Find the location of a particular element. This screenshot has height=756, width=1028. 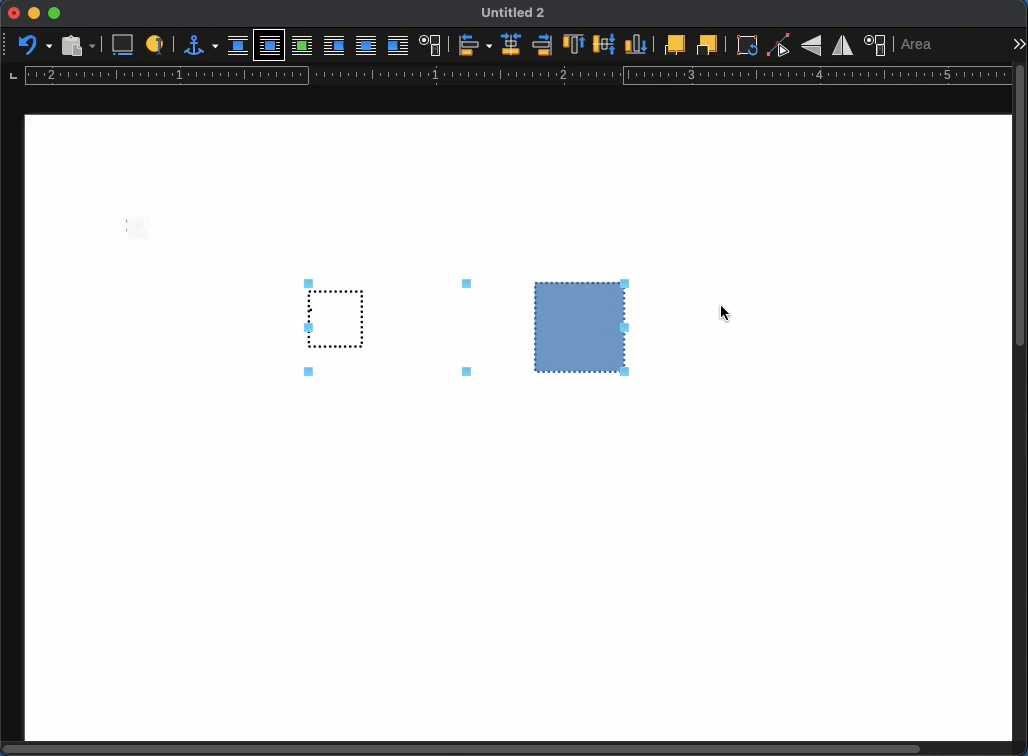

flip vertically is located at coordinates (811, 46).